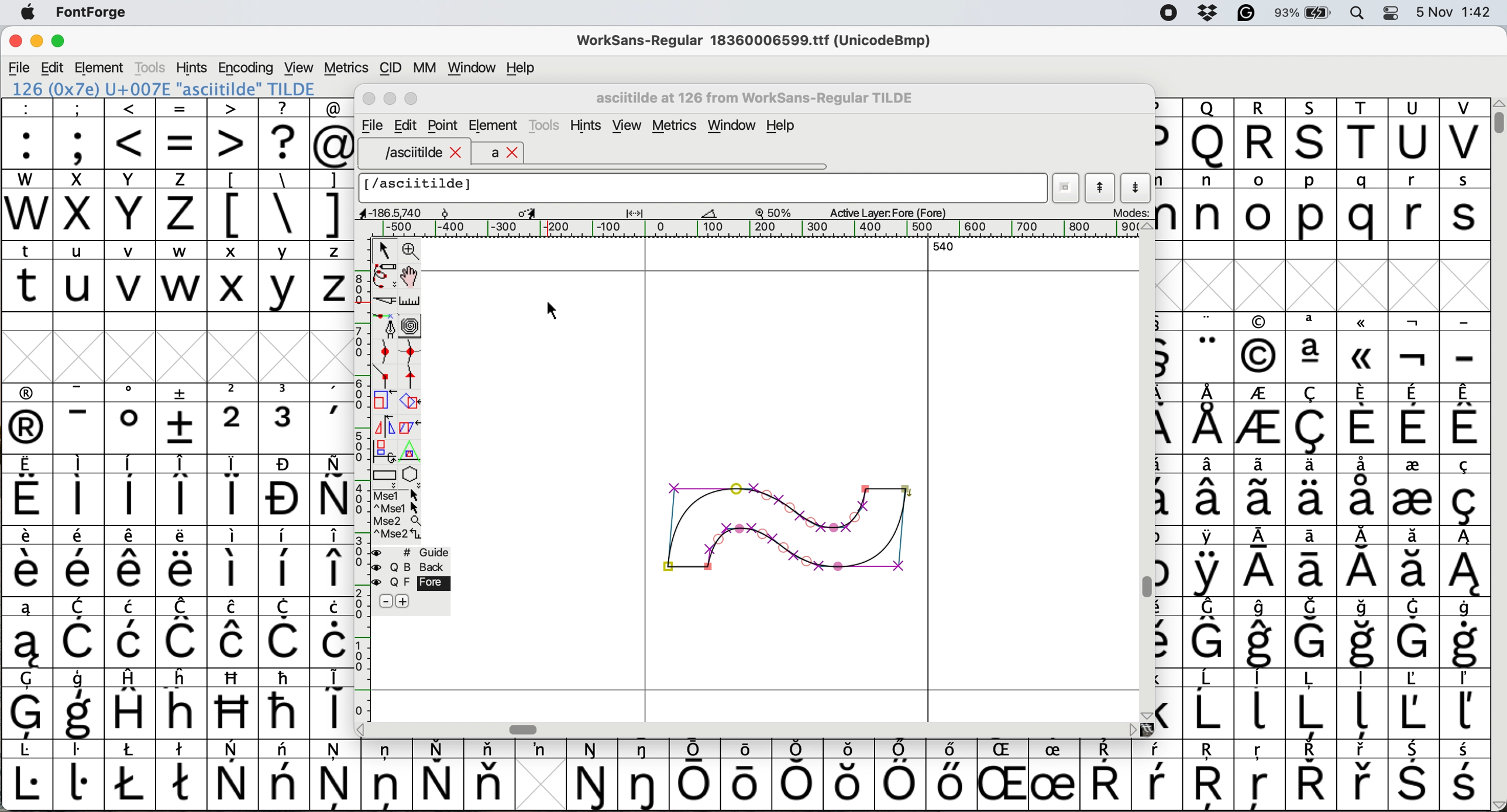 The height and width of the screenshot is (812, 1507). I want to click on , so click(1208, 133).